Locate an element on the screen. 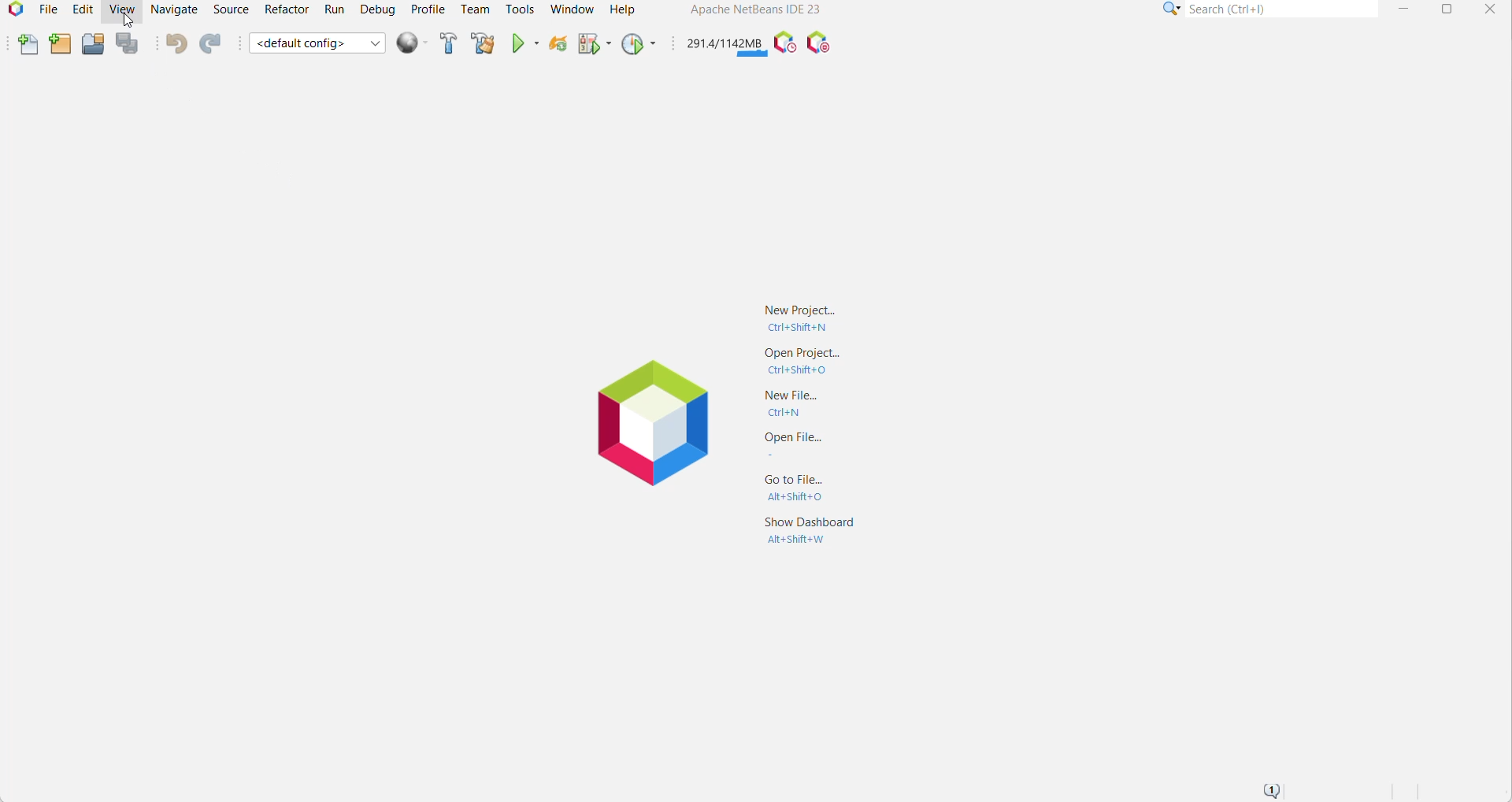 This screenshot has width=1512, height=802. Run All Projects is located at coordinates (411, 43).